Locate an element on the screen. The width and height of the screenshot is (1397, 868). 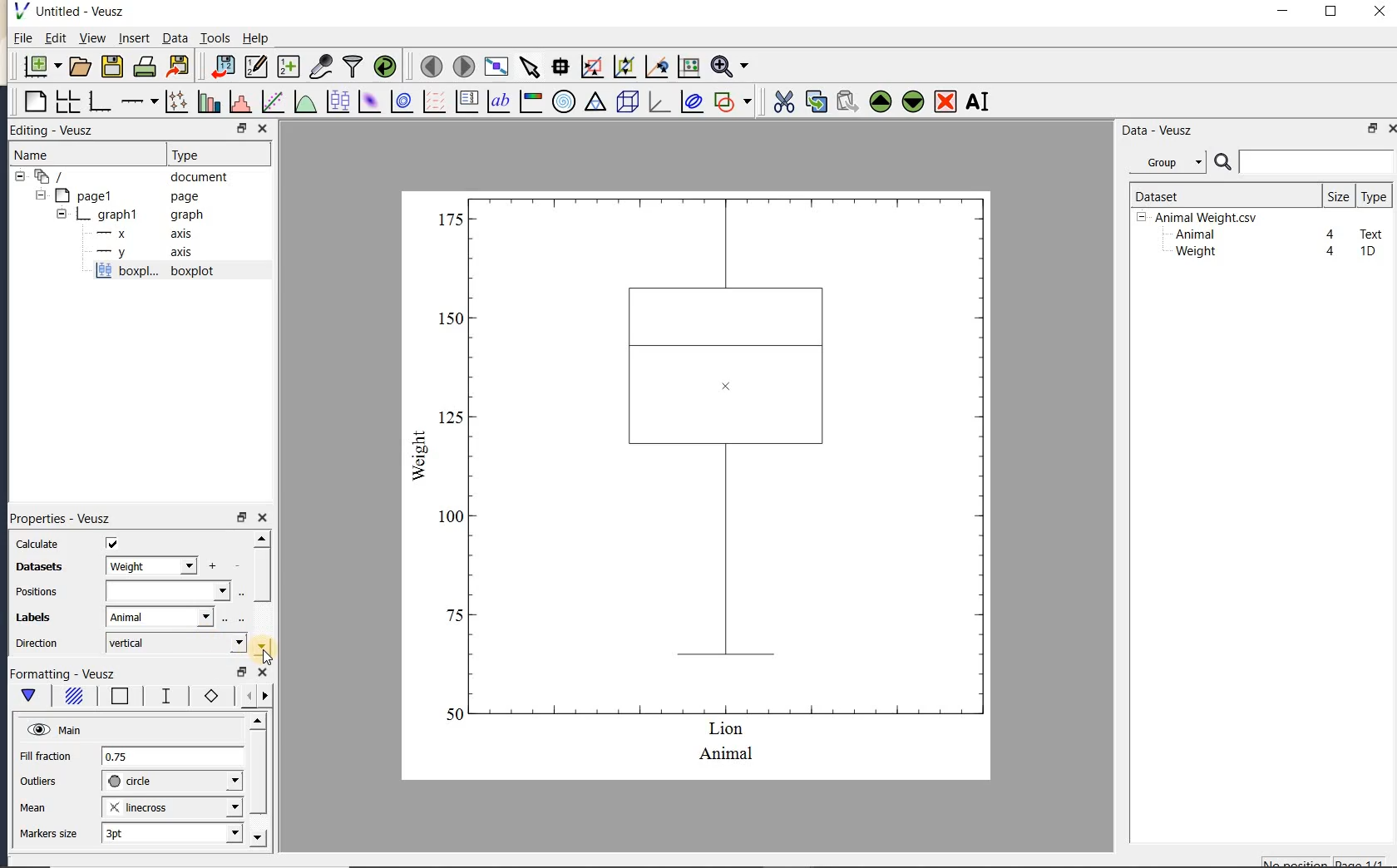
save the document is located at coordinates (111, 67).